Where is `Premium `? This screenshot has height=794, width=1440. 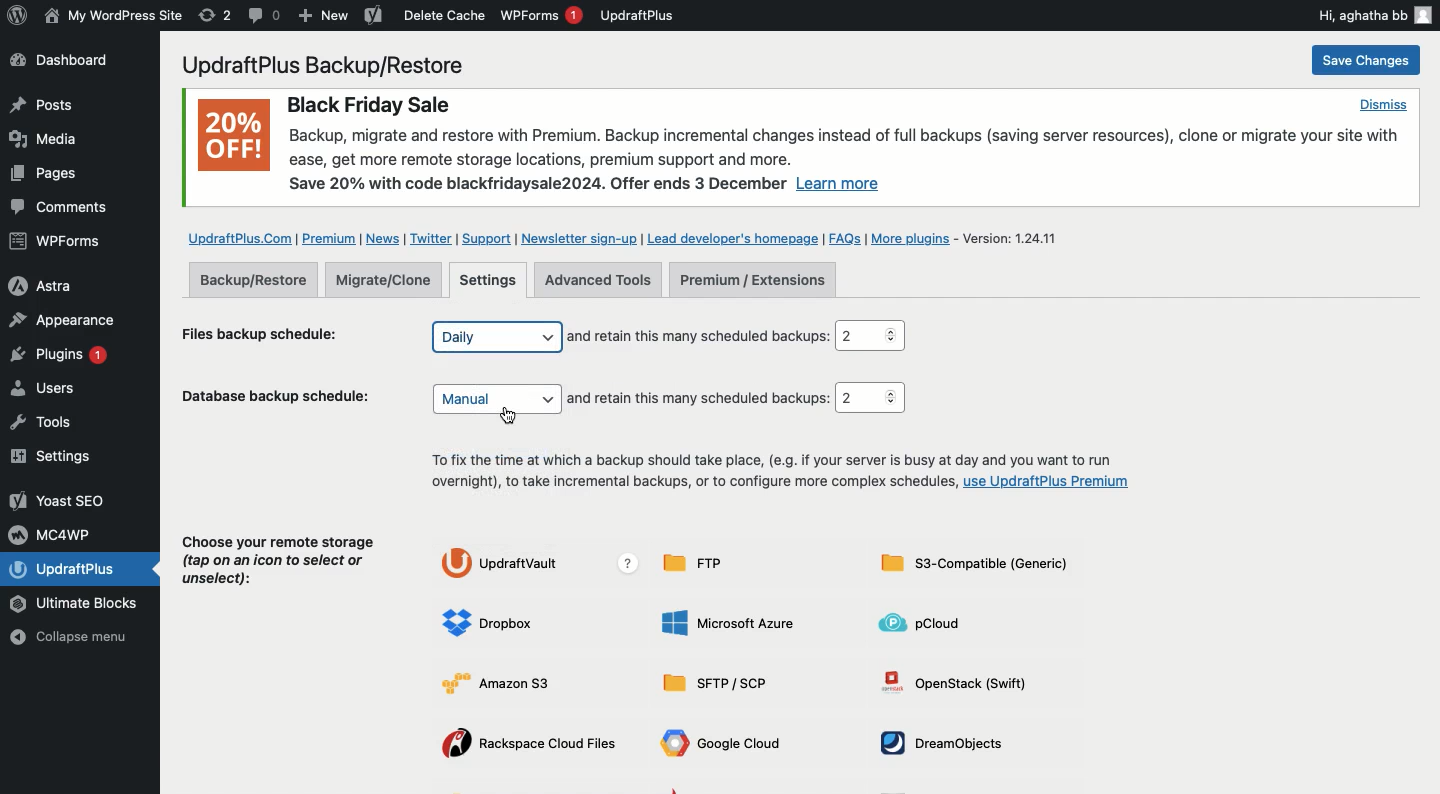 Premium  is located at coordinates (331, 239).